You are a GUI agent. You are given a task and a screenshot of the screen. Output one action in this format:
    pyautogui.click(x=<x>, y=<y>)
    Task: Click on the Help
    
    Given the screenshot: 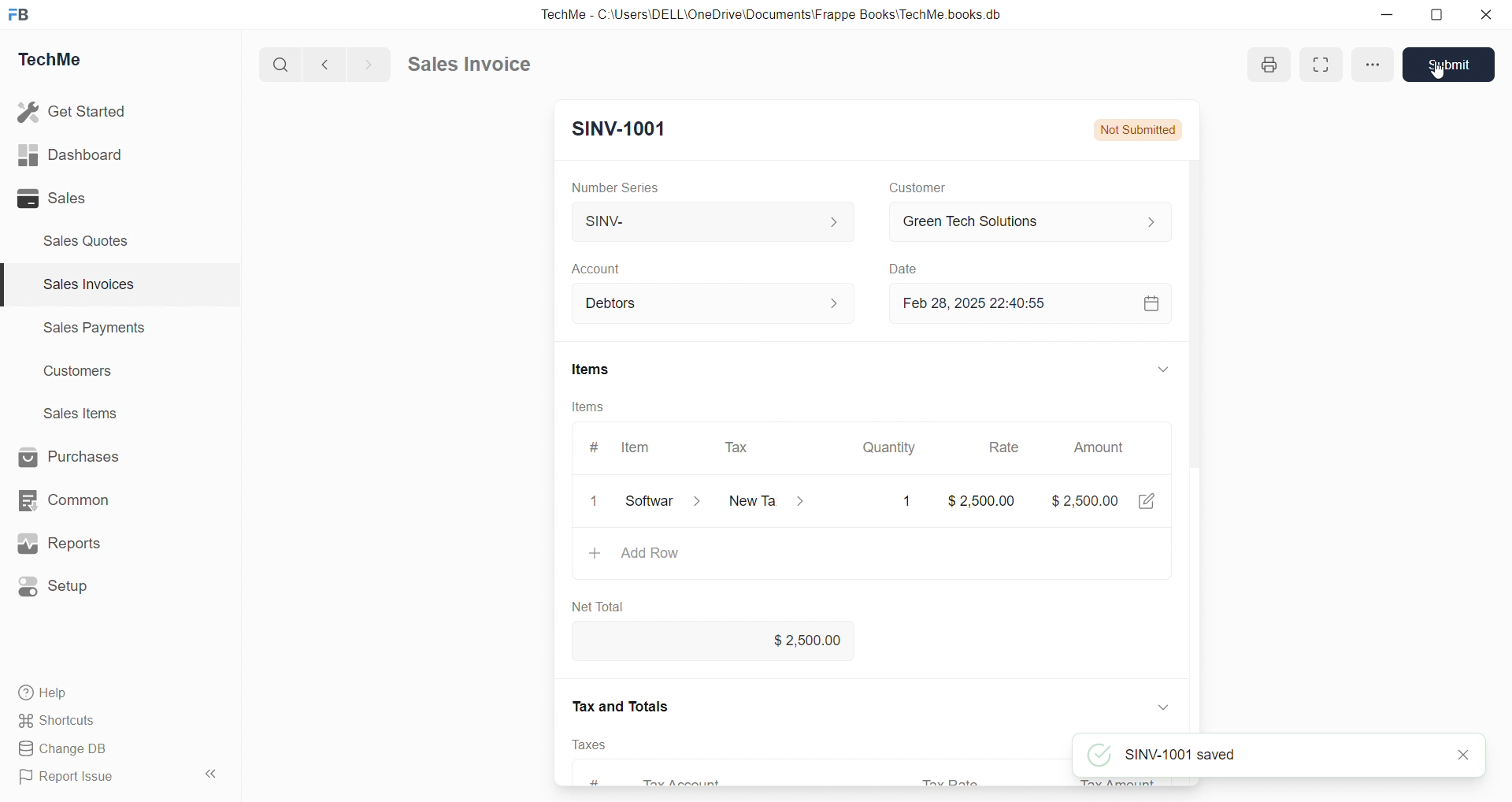 What is the action you would take?
    pyautogui.click(x=46, y=693)
    